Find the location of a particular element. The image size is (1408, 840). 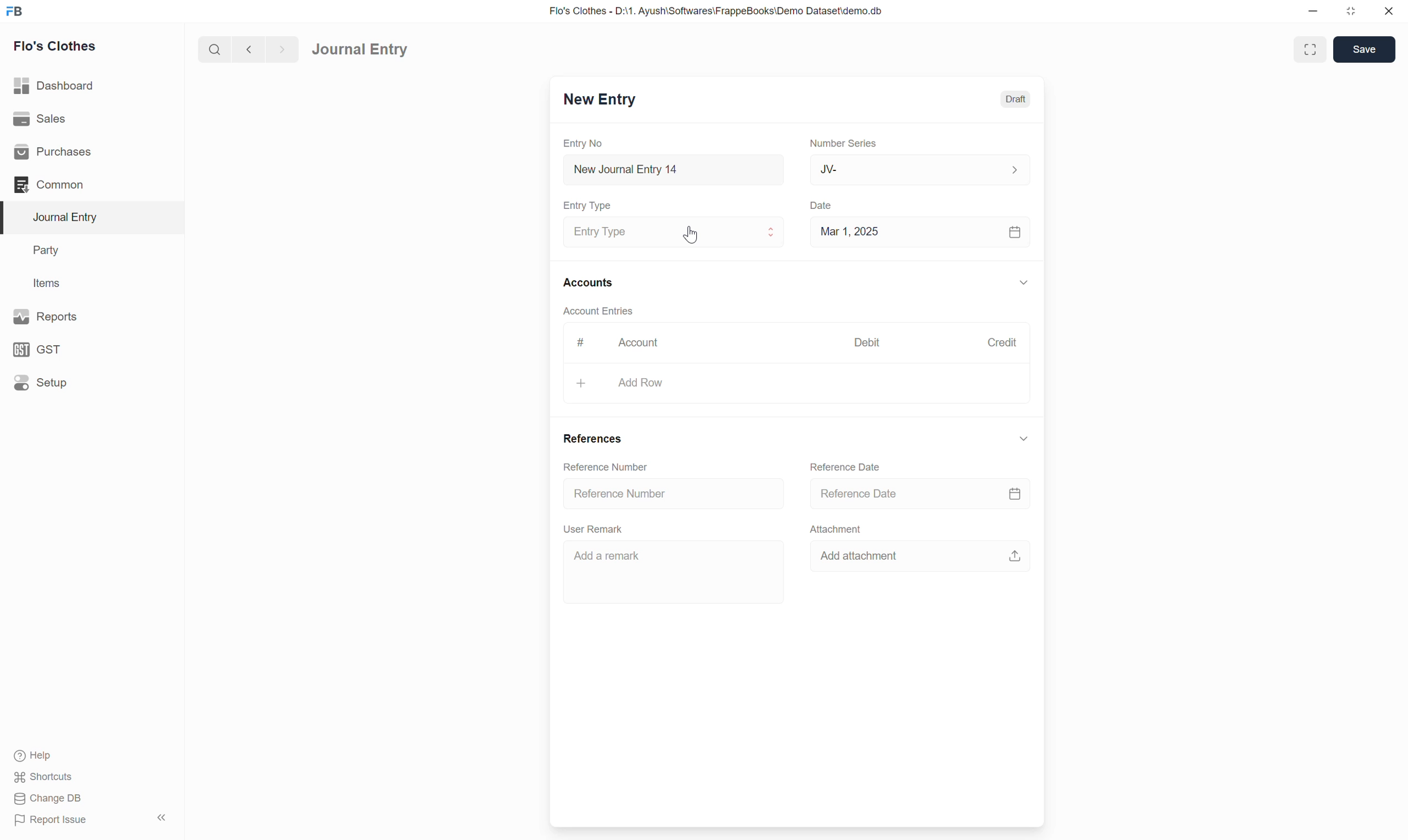

Journal Entry is located at coordinates (70, 217).